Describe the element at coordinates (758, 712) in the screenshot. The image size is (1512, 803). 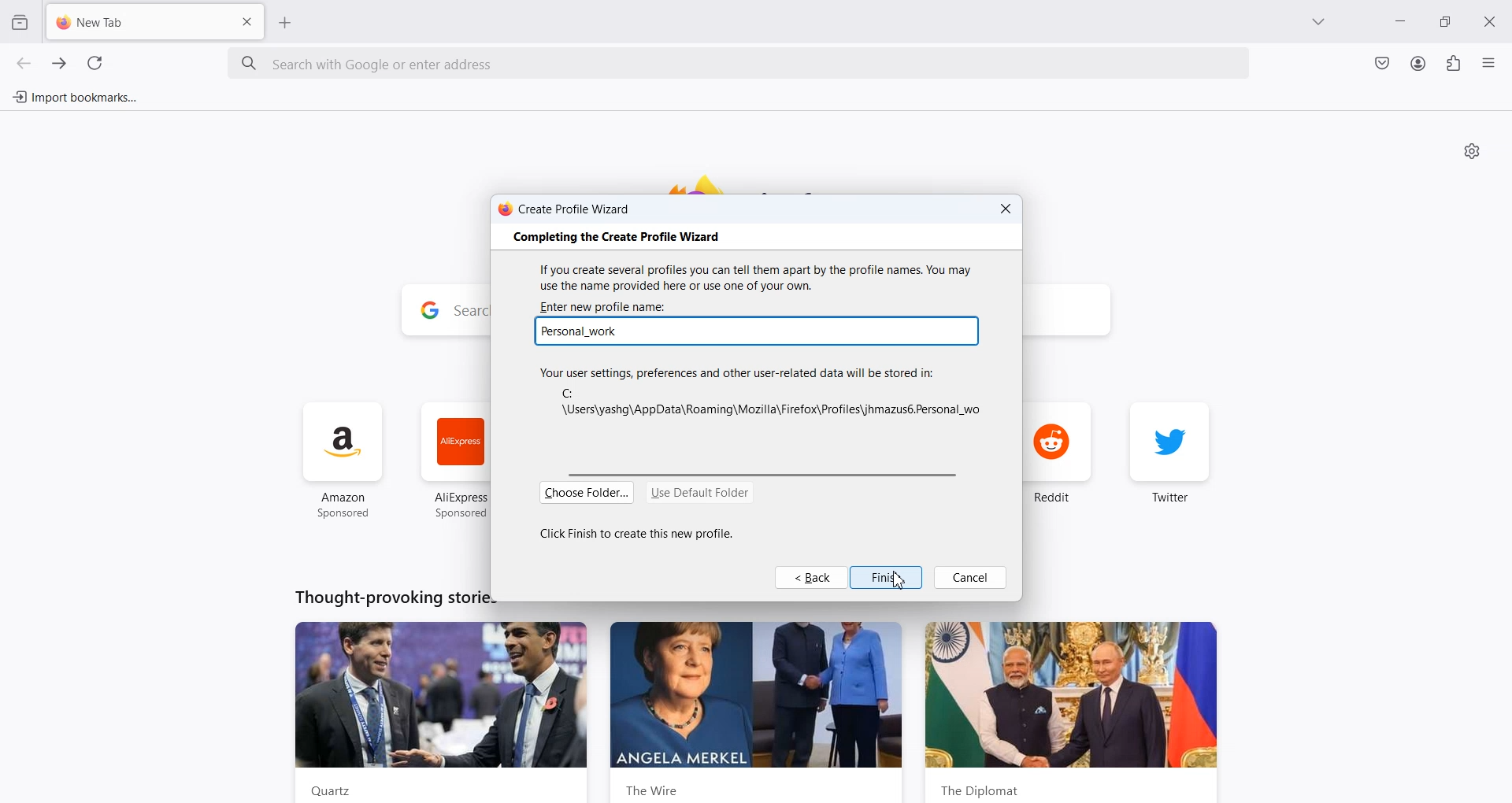
I see `the wire` at that location.